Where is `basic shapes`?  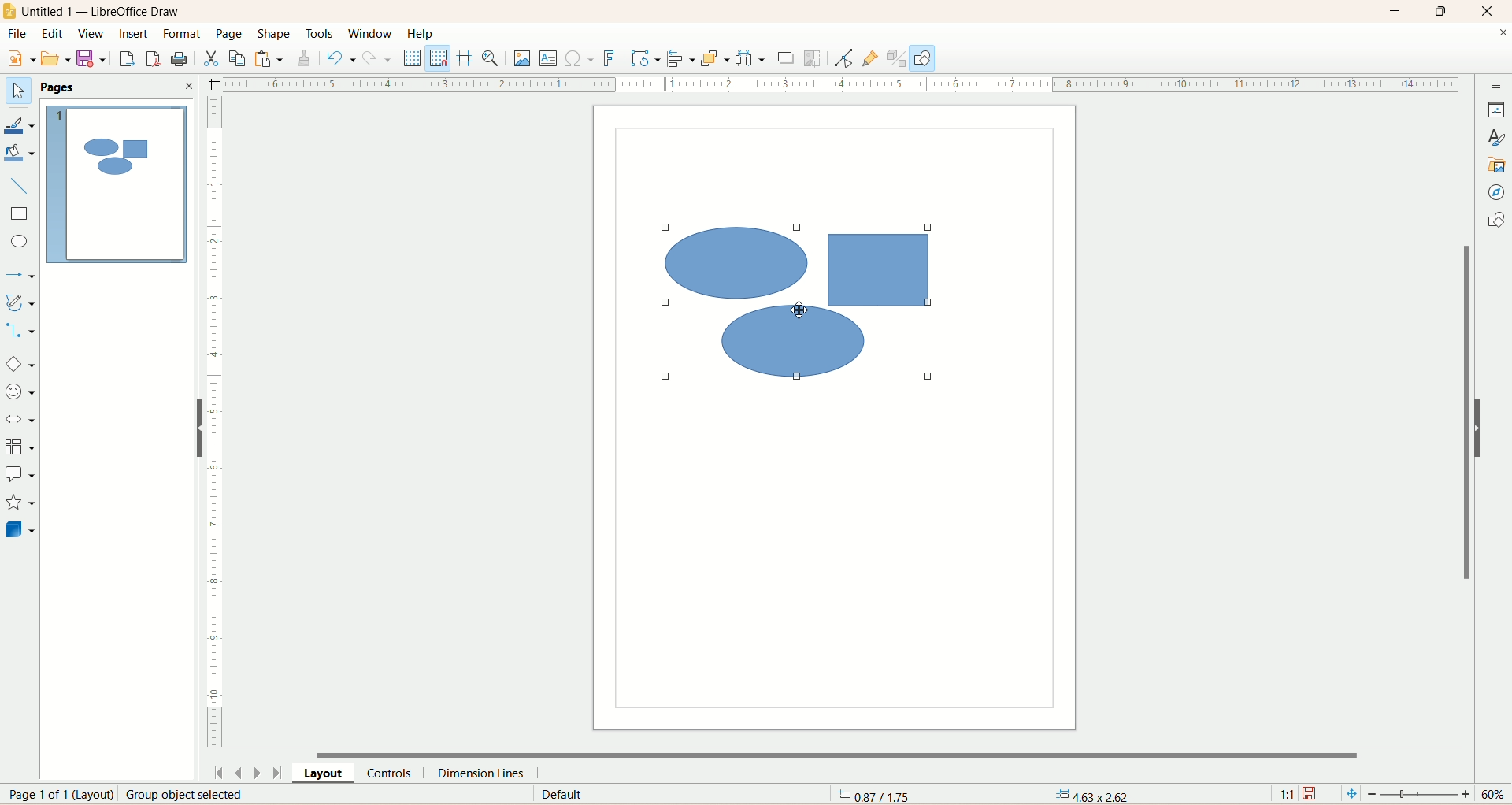 basic shapes is located at coordinates (20, 365).